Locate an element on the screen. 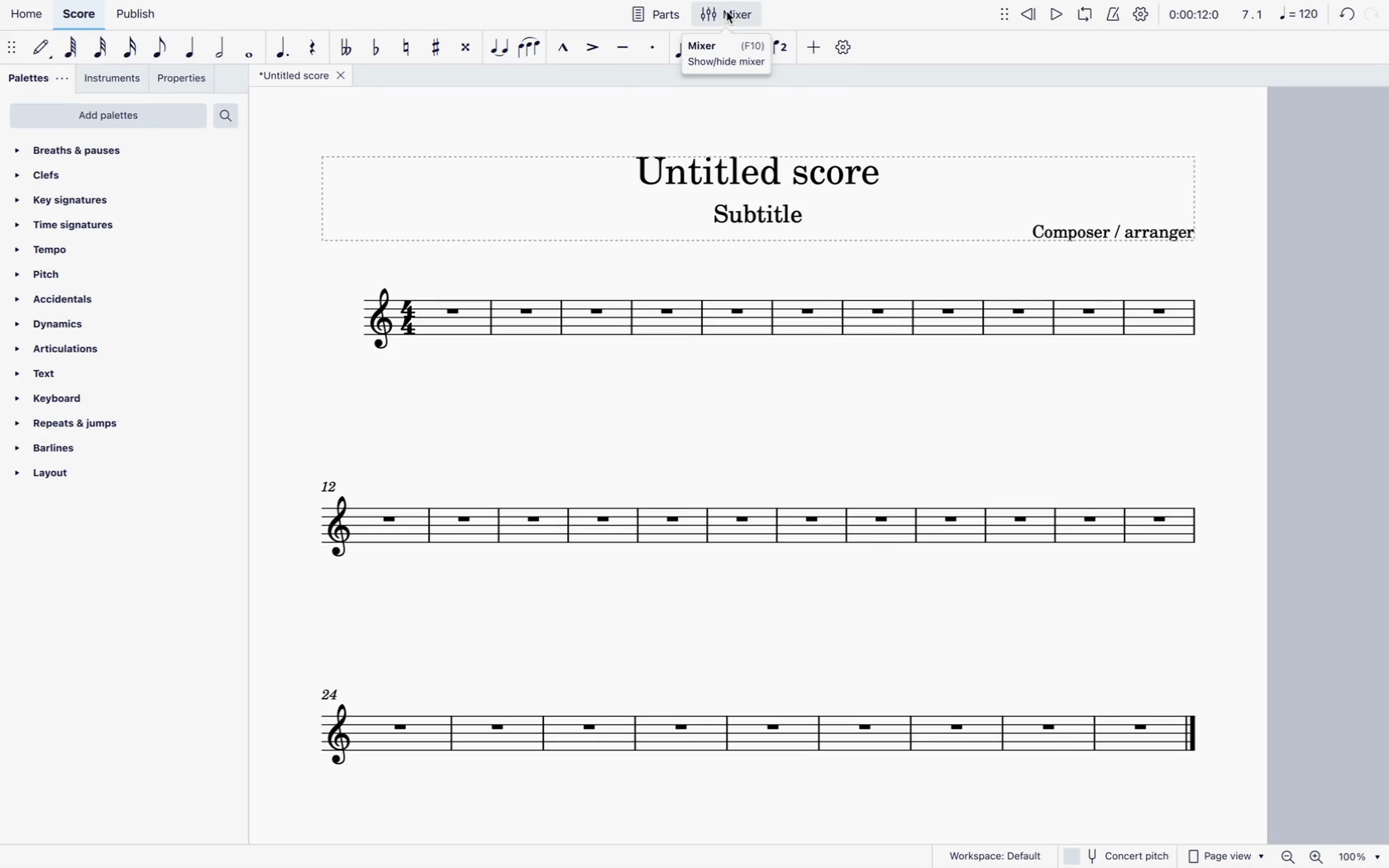 Image resolution: width=1389 pixels, height=868 pixels. staccato is located at coordinates (652, 51).